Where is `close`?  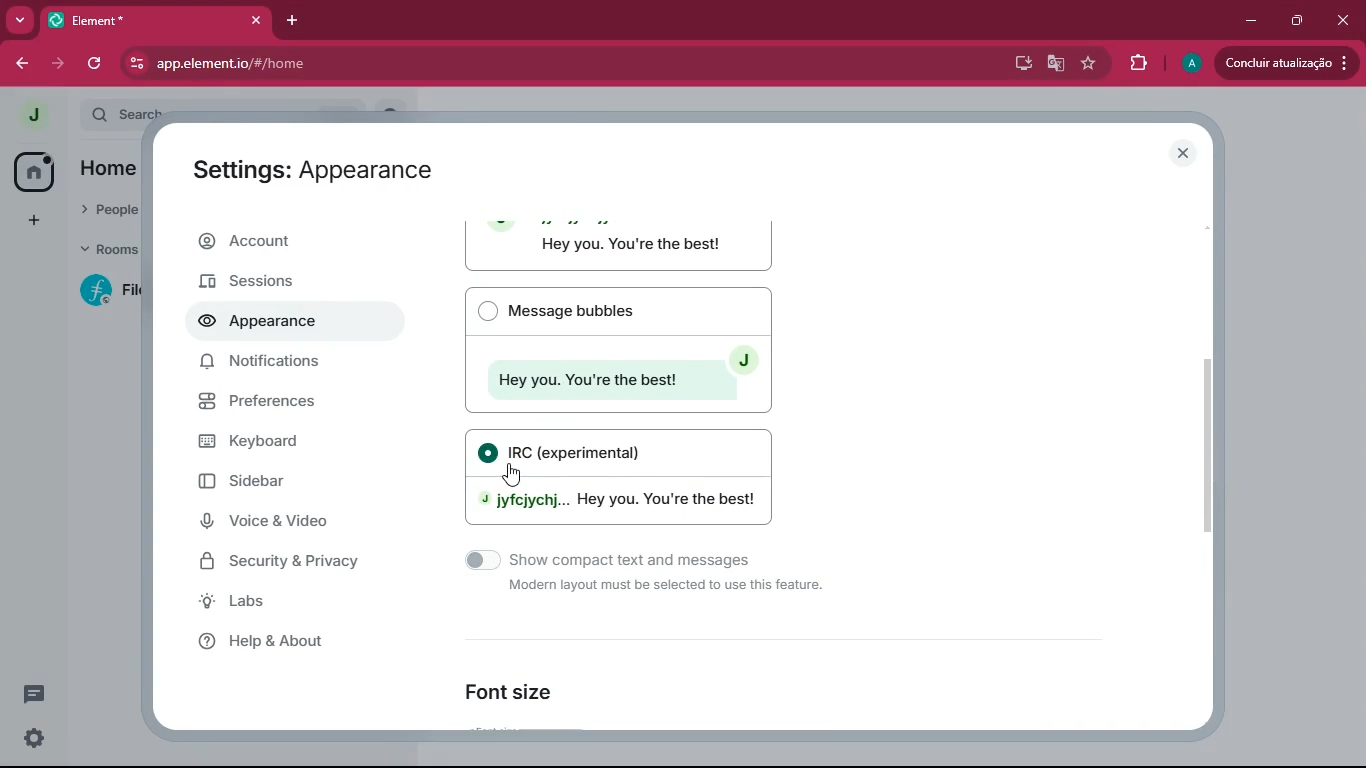 close is located at coordinates (1341, 20).